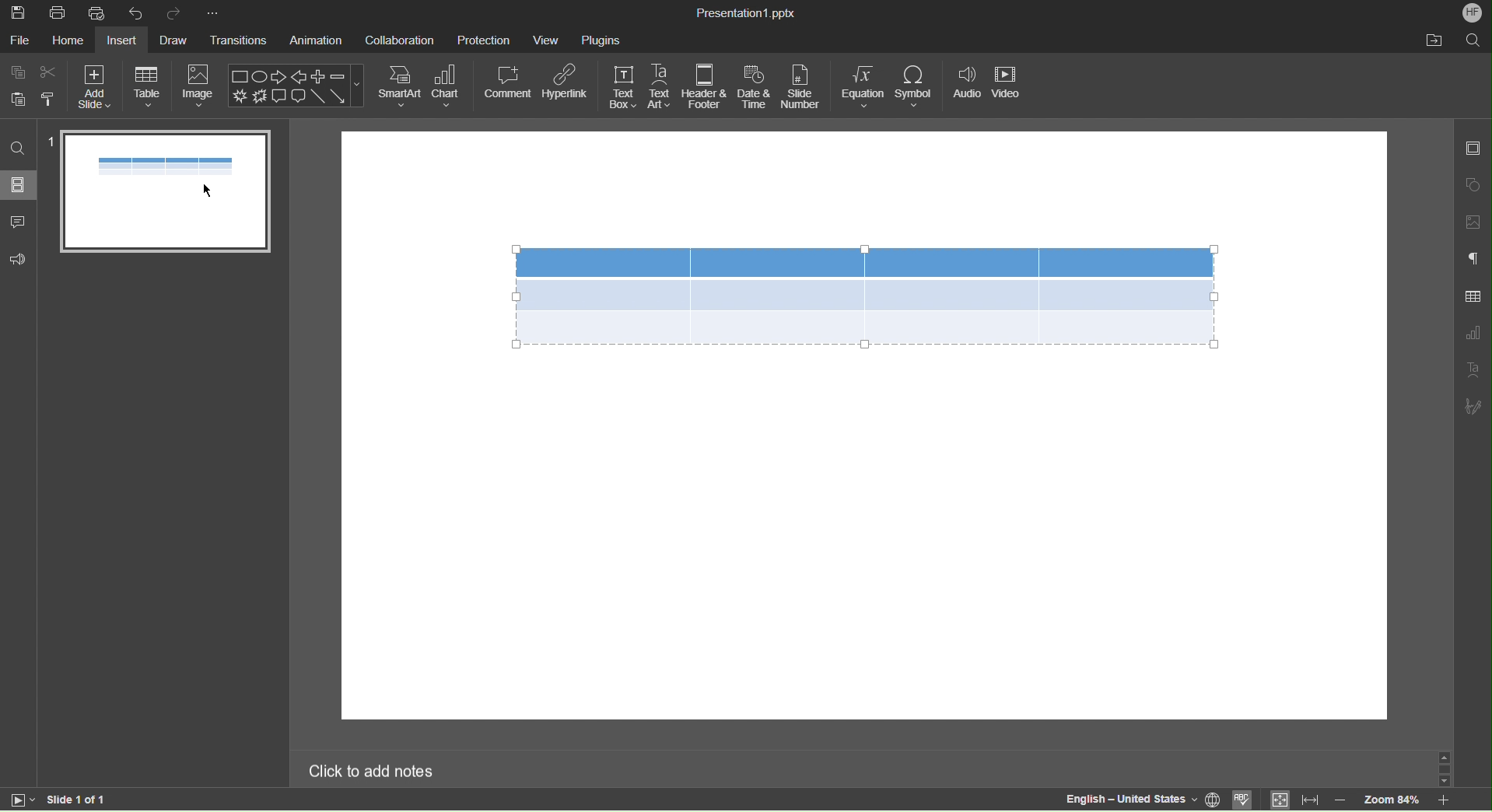  Describe the element at coordinates (239, 41) in the screenshot. I see `Transitions` at that location.